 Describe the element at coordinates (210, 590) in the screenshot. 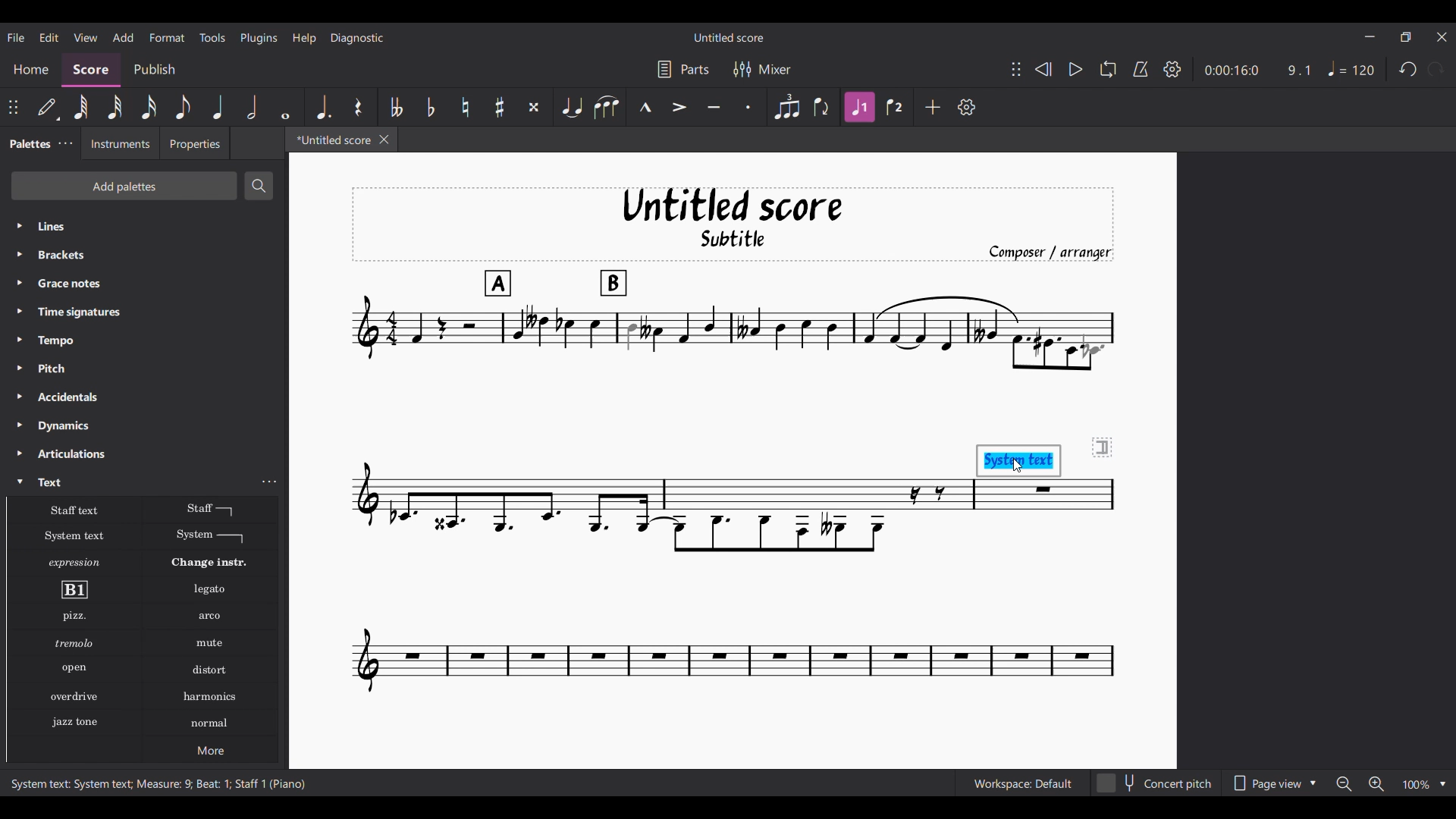

I see `Legato` at that location.